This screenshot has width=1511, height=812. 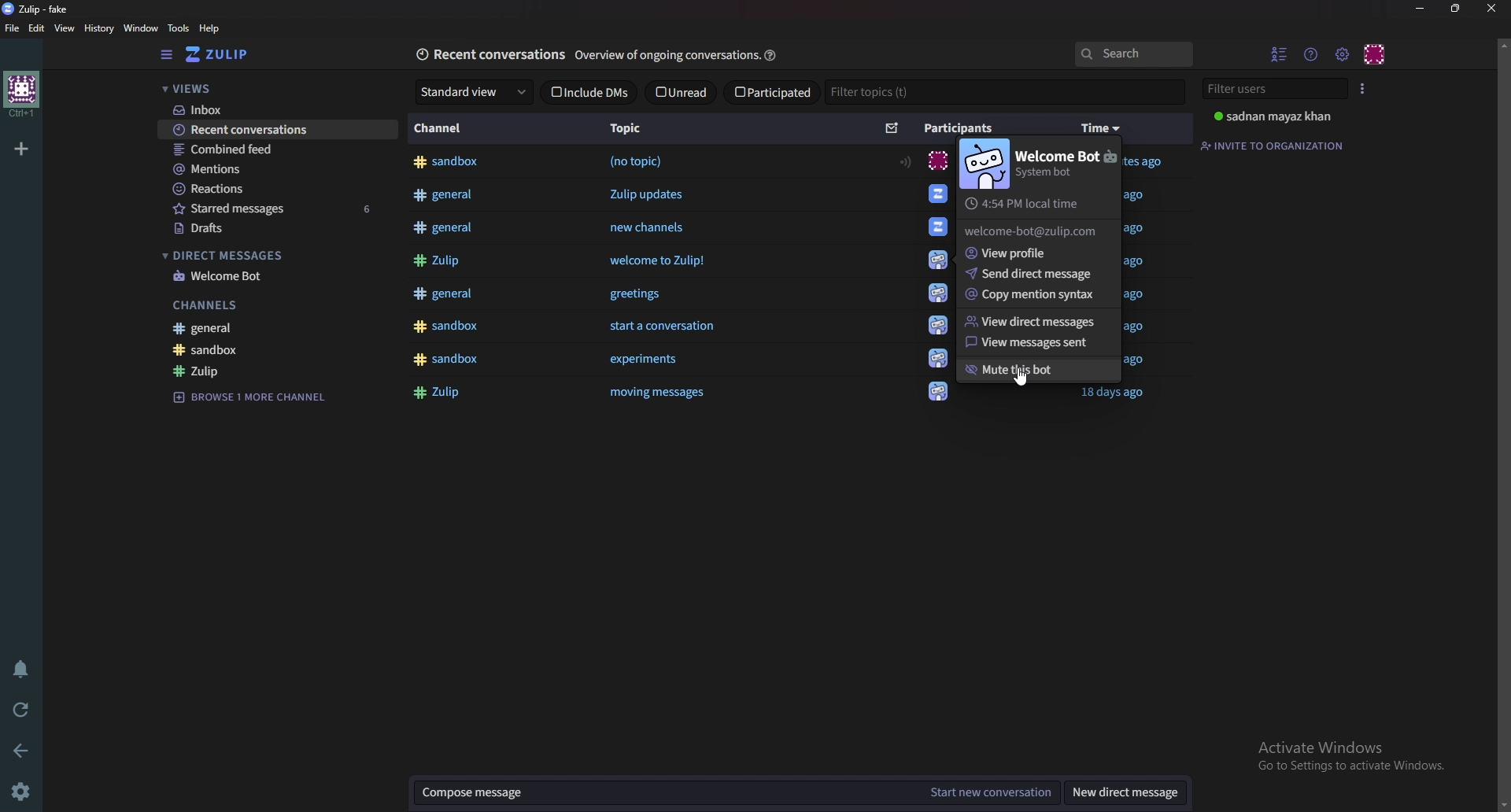 I want to click on Filter topics, so click(x=870, y=92).